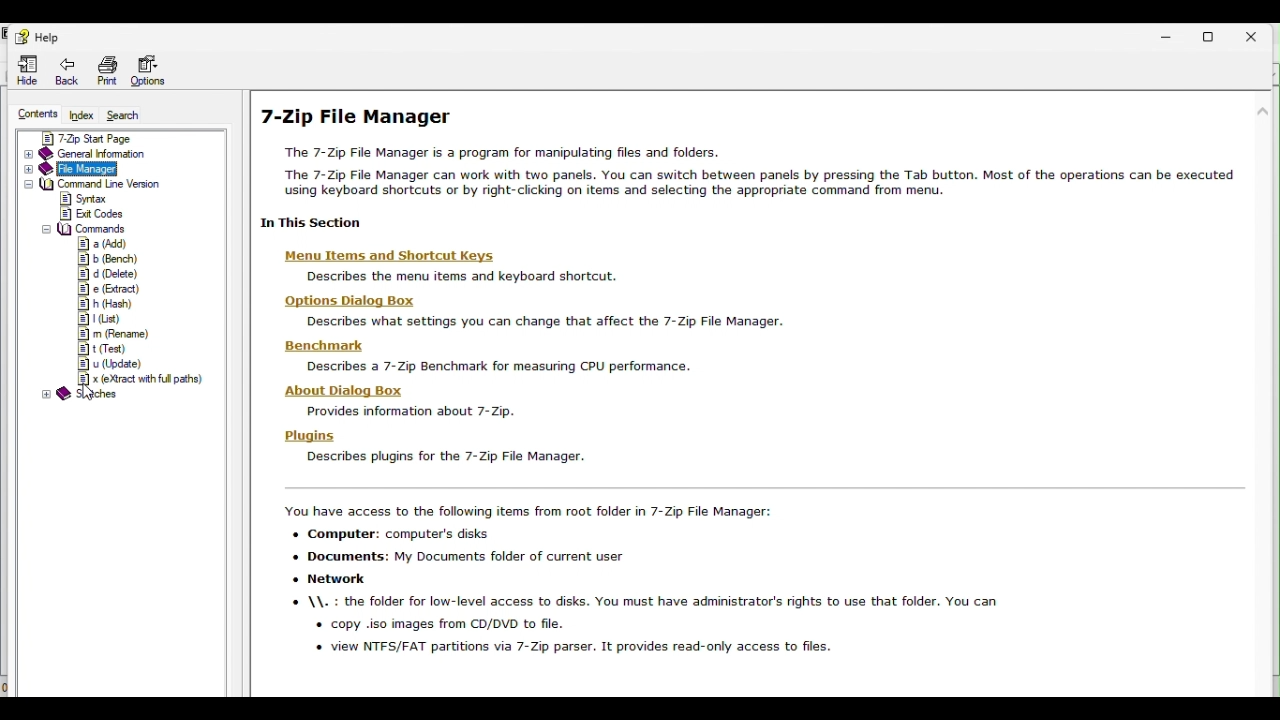 The image size is (1280, 720). What do you see at coordinates (38, 38) in the screenshot?
I see `Help` at bounding box center [38, 38].